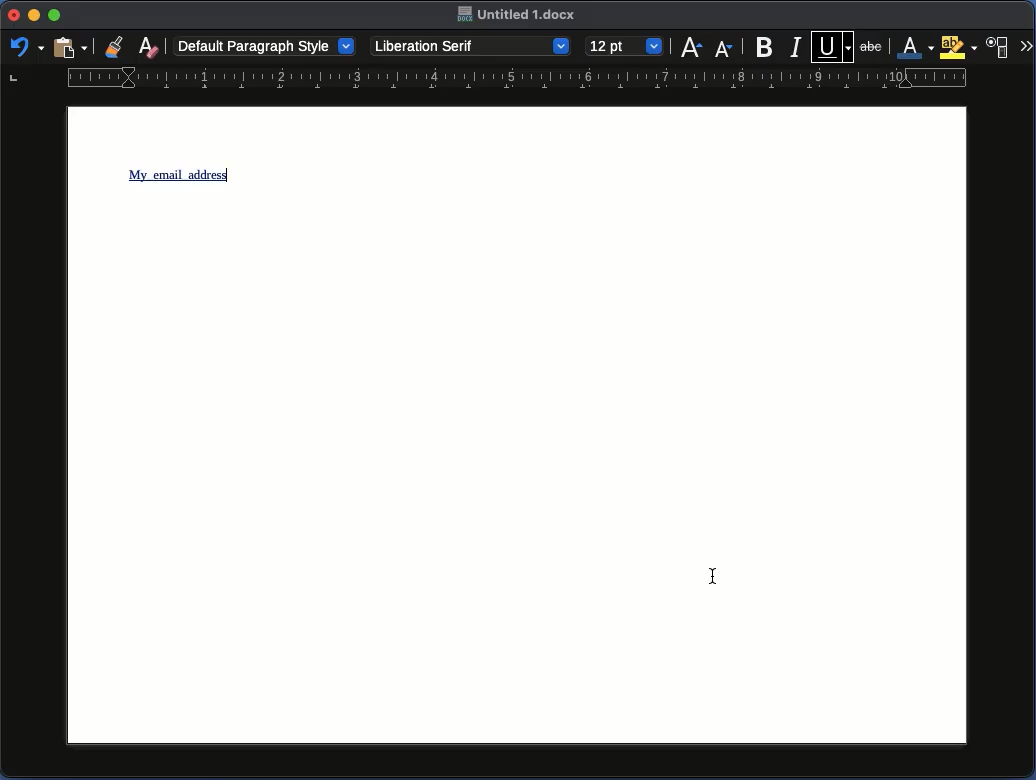 Image resolution: width=1036 pixels, height=780 pixels. Describe the element at coordinates (180, 175) in the screenshot. I see `My_email_address` at that location.